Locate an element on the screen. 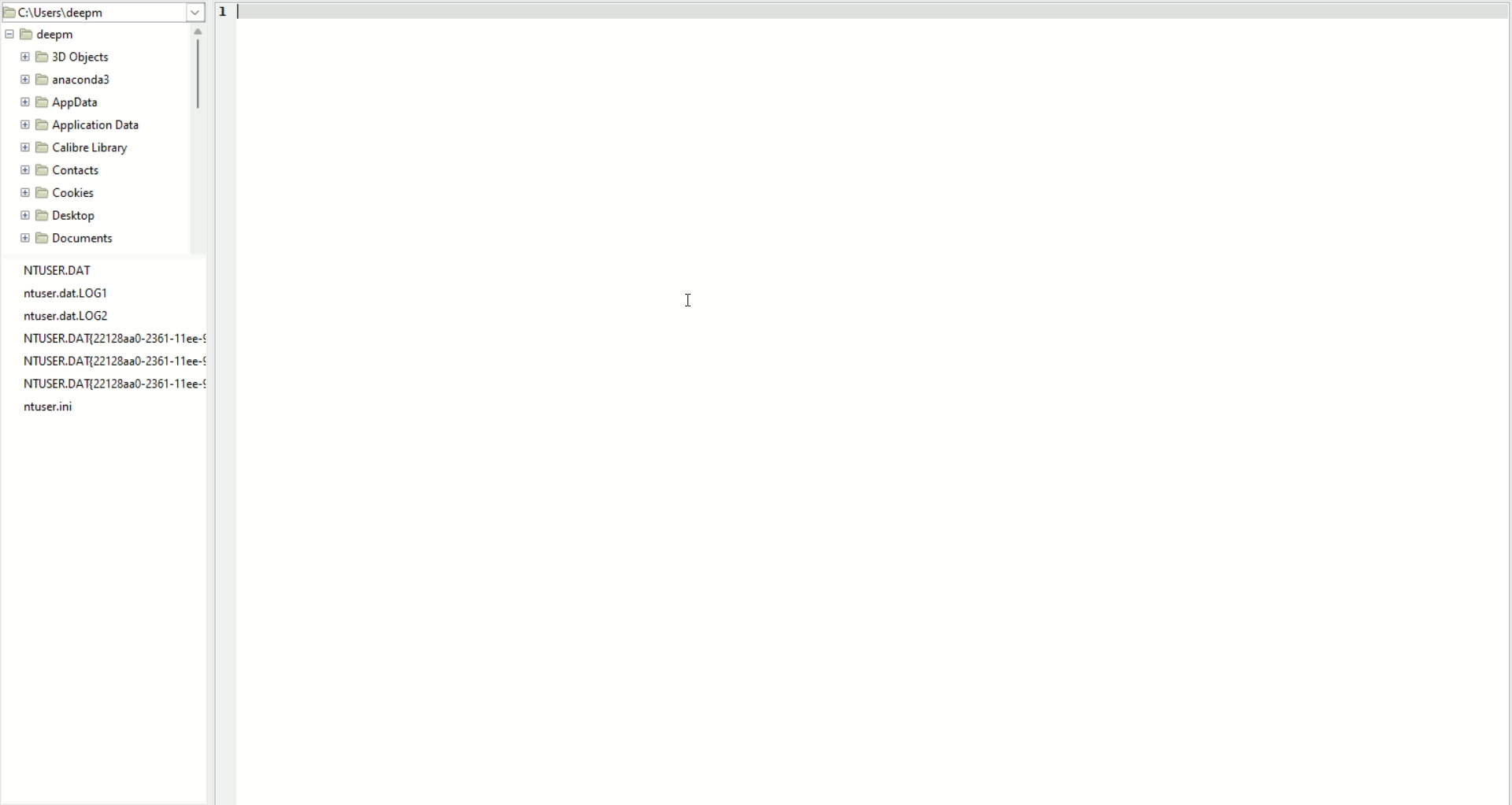  cursor is located at coordinates (681, 302).